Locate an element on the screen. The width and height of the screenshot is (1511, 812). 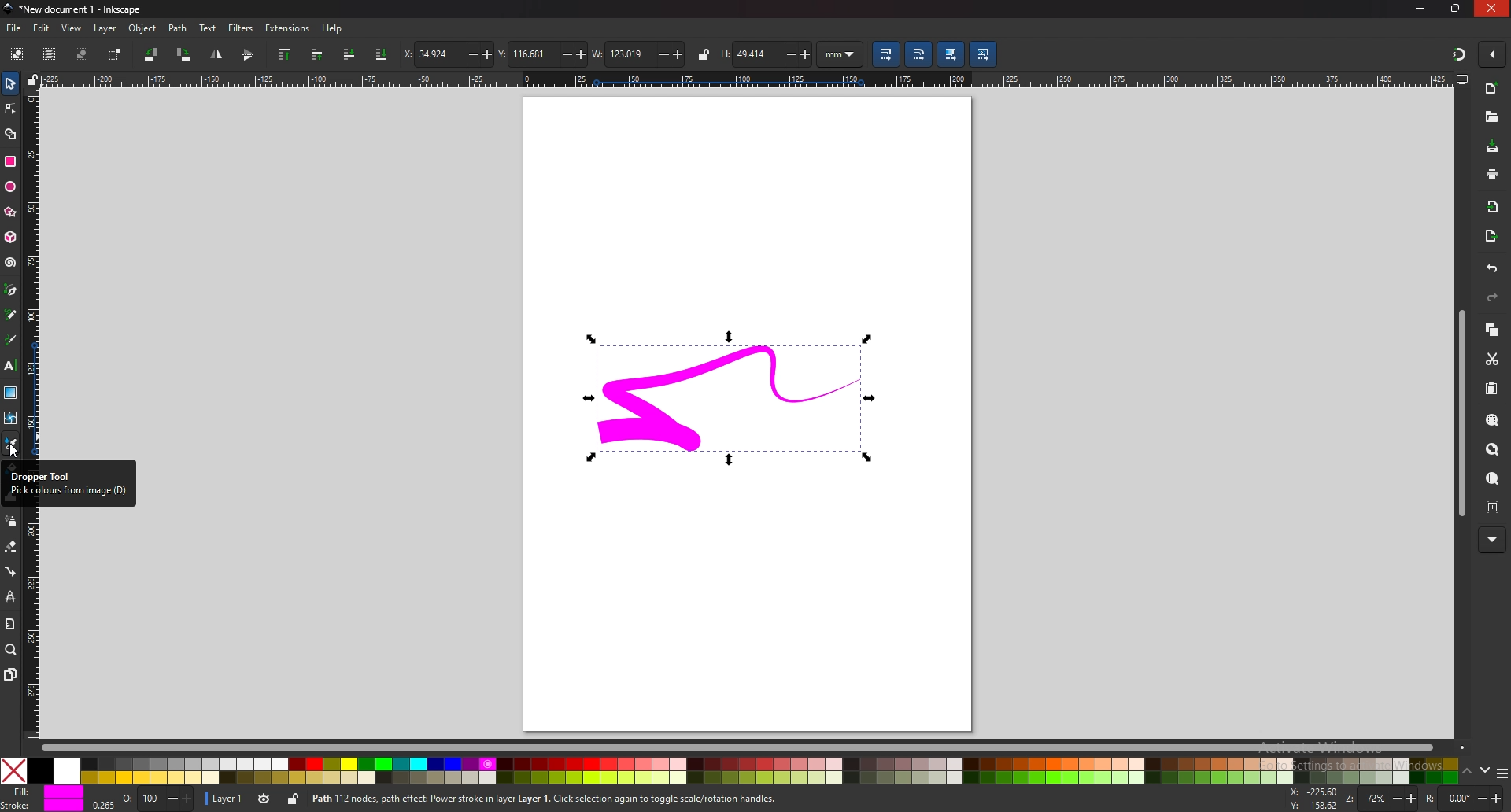
view is located at coordinates (72, 28).